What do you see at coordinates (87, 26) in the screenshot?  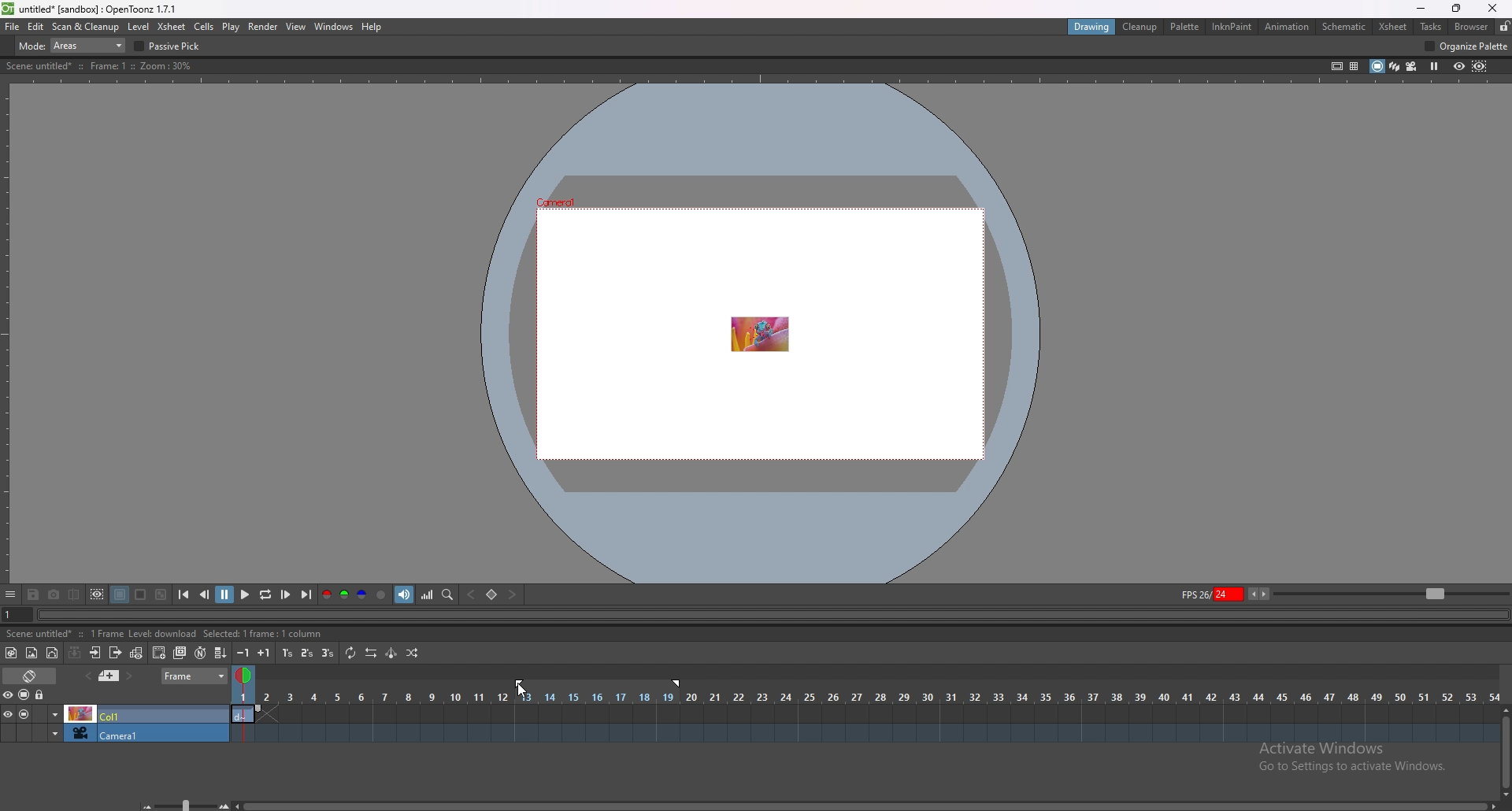 I see `scan and cleanup` at bounding box center [87, 26].